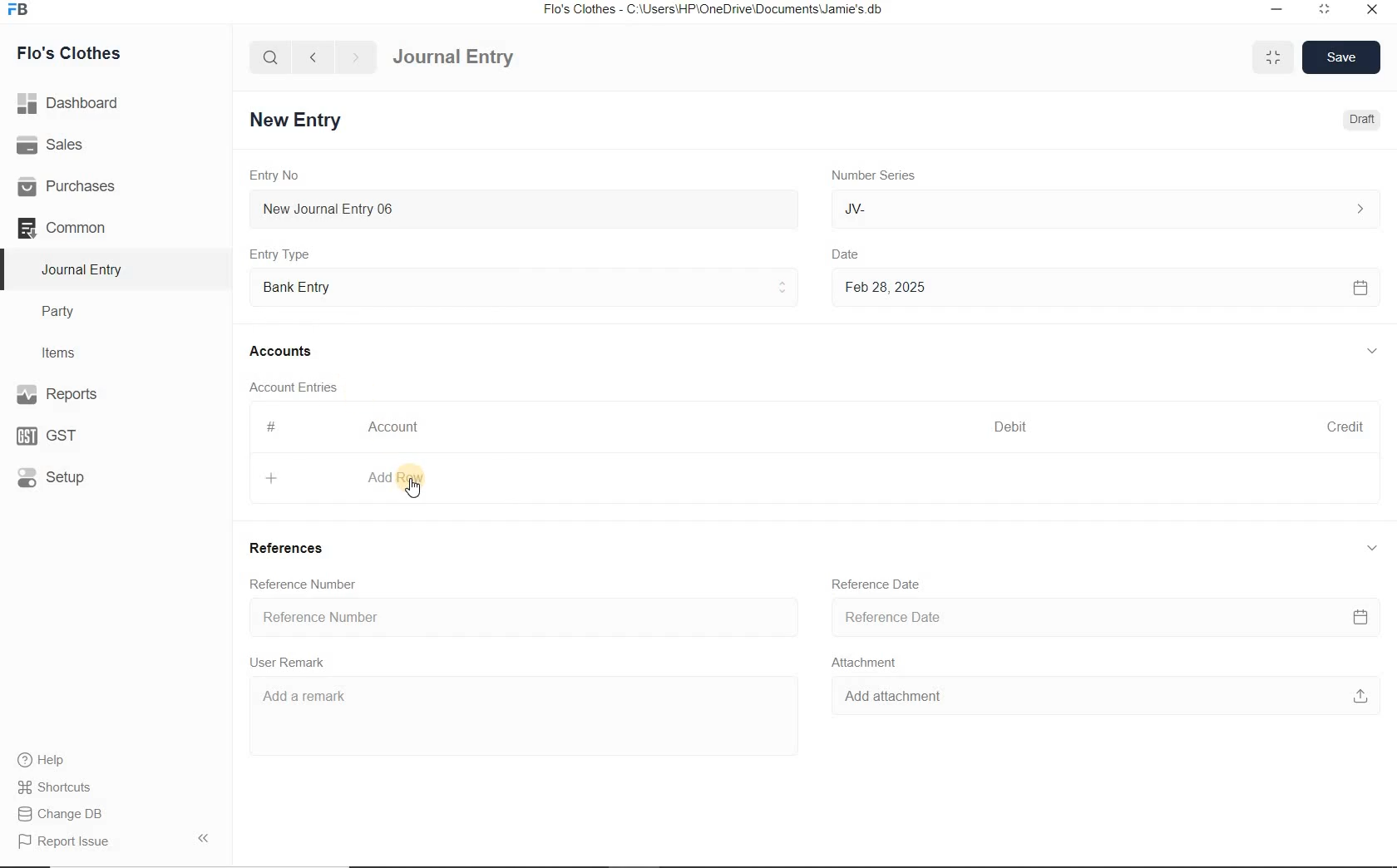 This screenshot has height=868, width=1397. What do you see at coordinates (55, 784) in the screenshot?
I see `Shortcuts` at bounding box center [55, 784].